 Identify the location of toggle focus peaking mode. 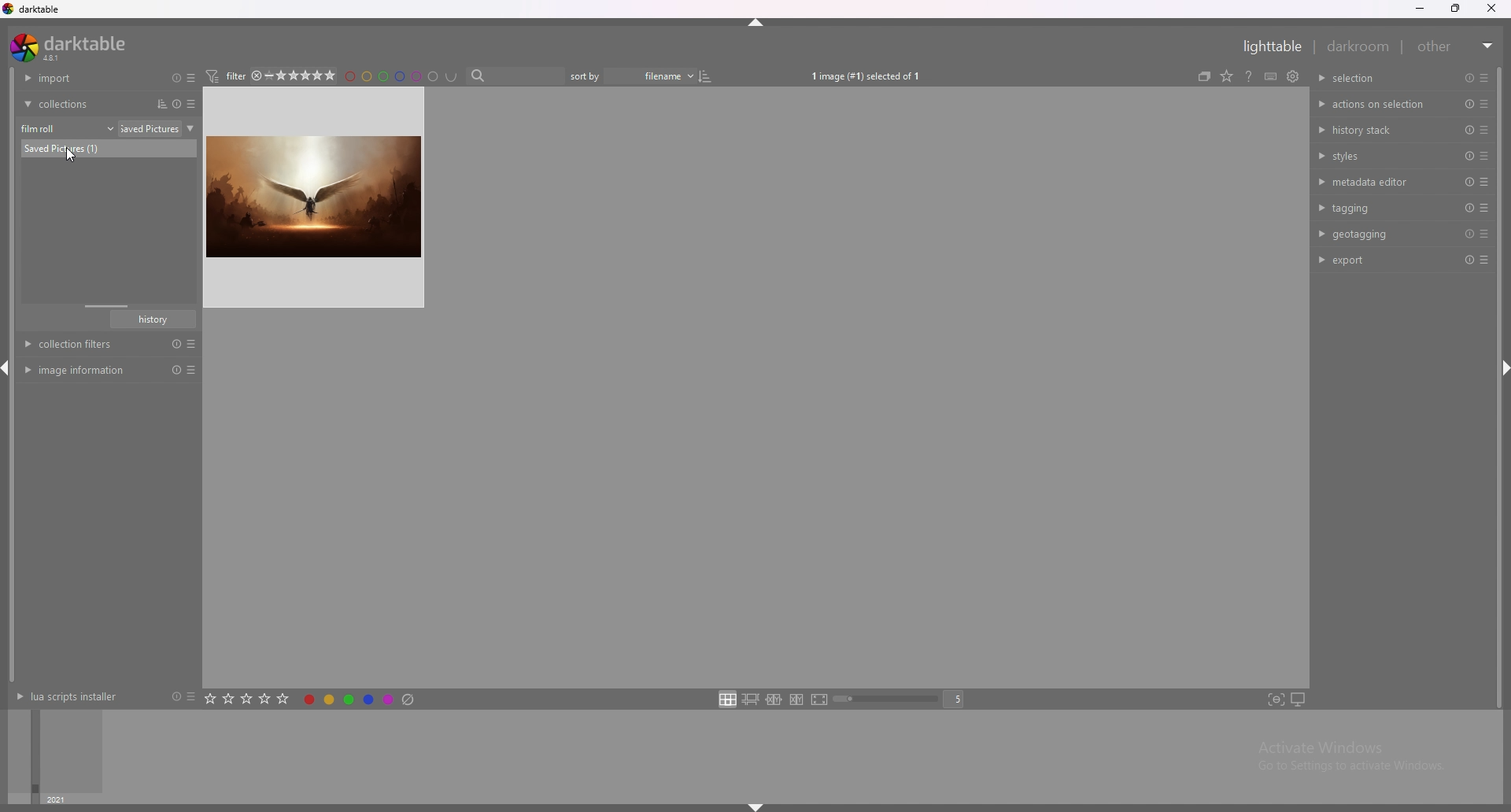
(1276, 699).